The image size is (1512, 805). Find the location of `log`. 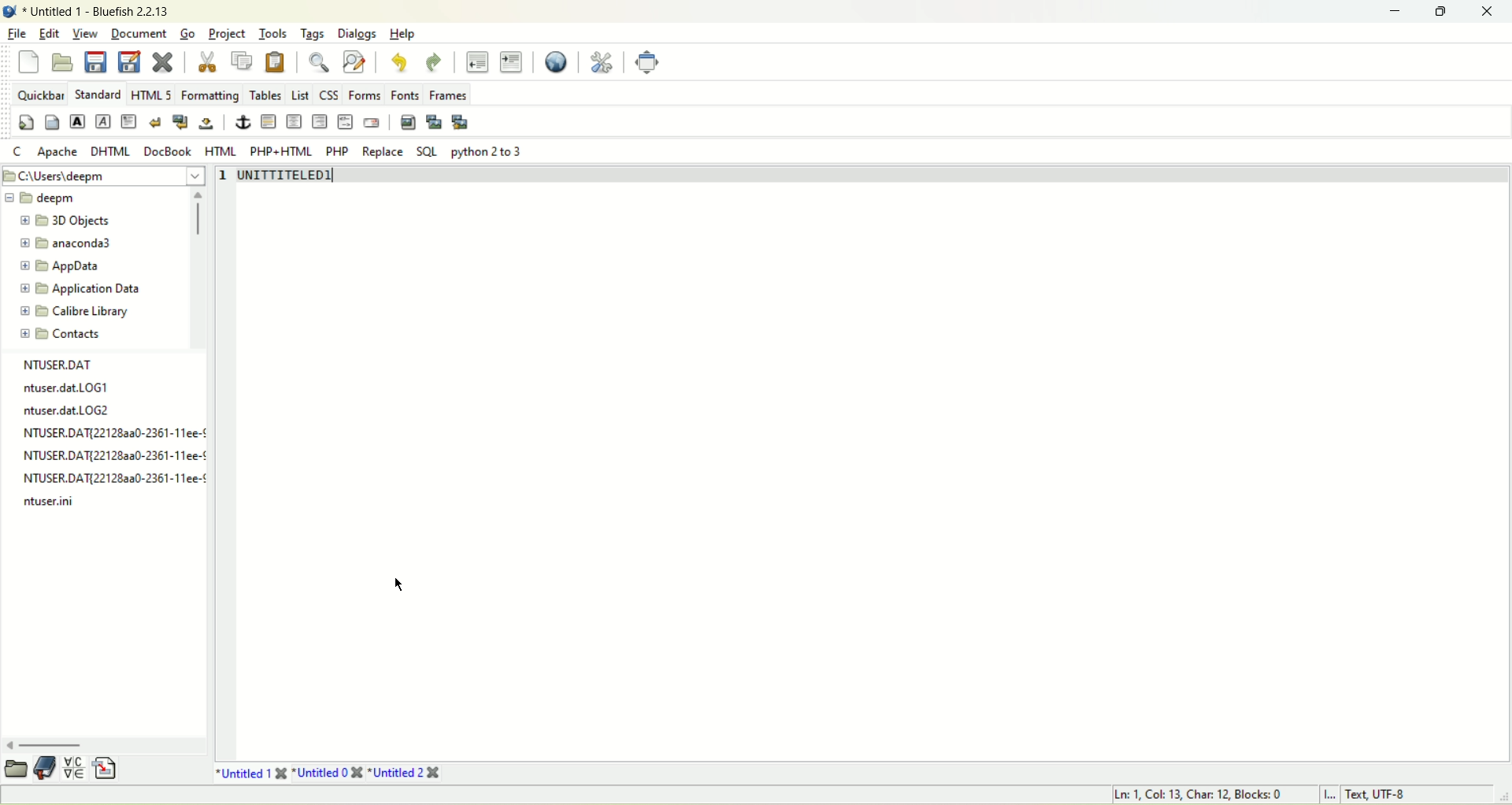

log is located at coordinates (50, 500).